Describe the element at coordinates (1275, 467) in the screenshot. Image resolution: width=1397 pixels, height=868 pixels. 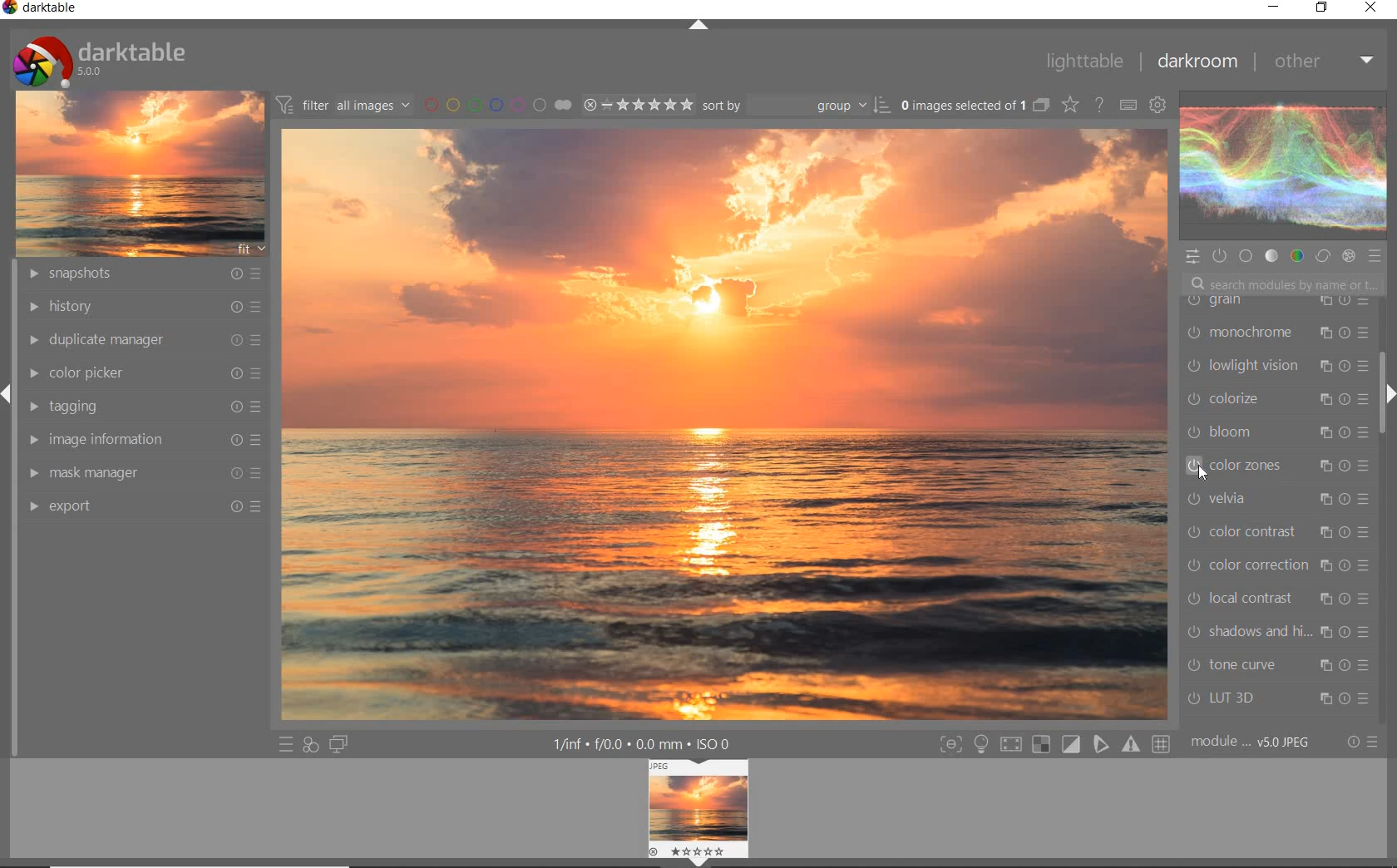
I see `color zones` at that location.